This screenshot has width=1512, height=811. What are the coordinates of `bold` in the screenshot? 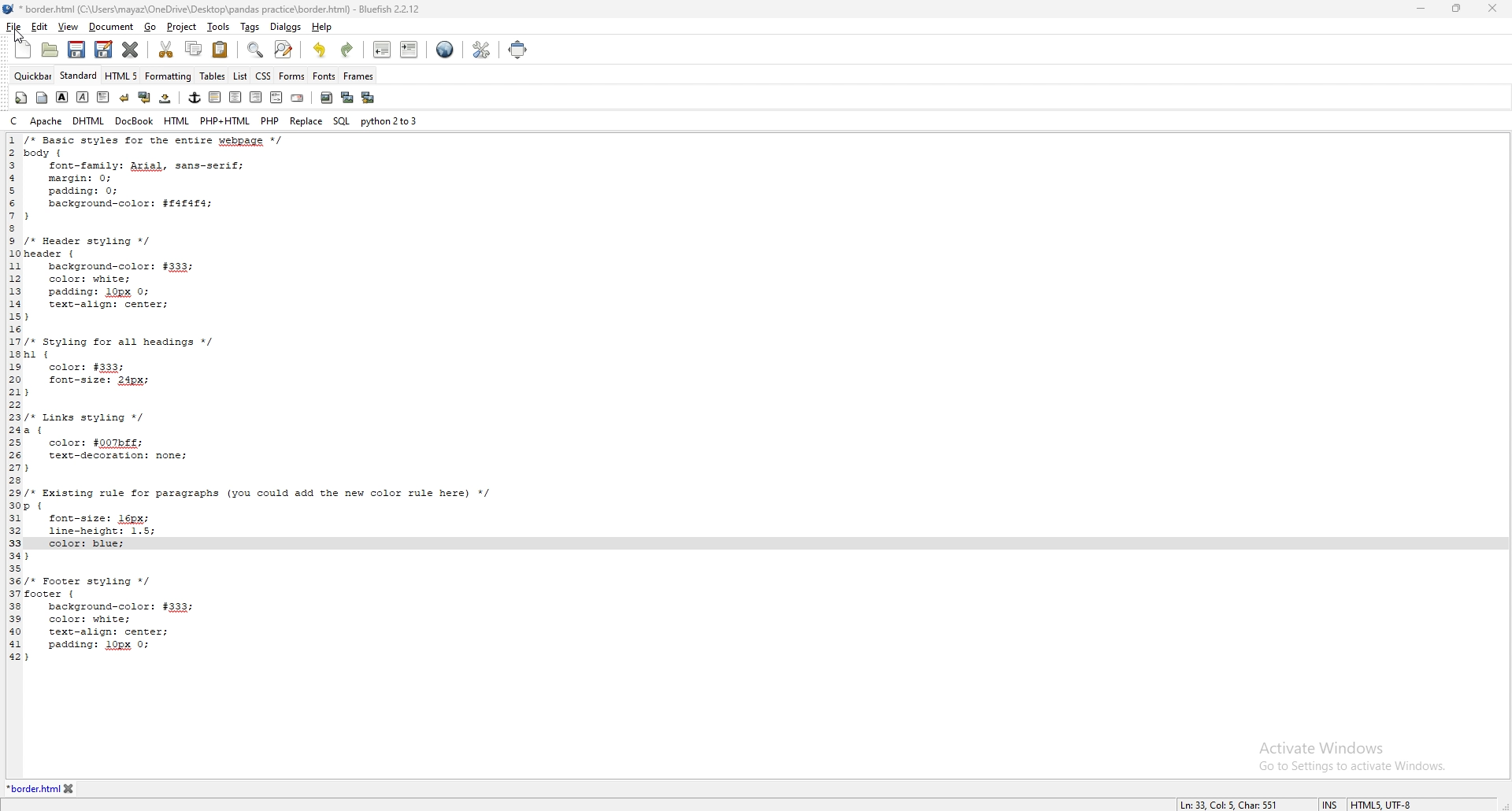 It's located at (61, 97).